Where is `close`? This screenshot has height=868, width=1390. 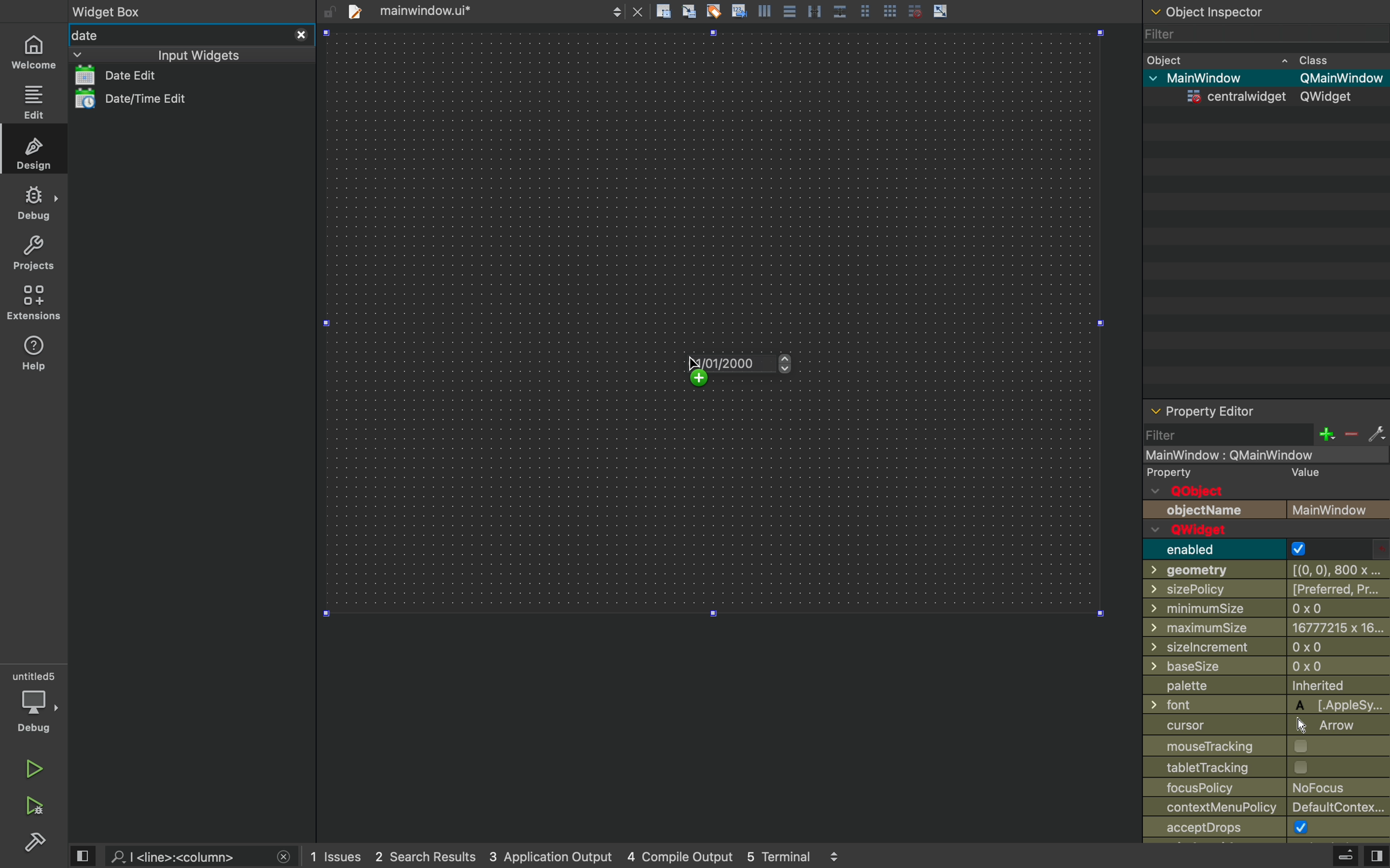 close is located at coordinates (638, 10).